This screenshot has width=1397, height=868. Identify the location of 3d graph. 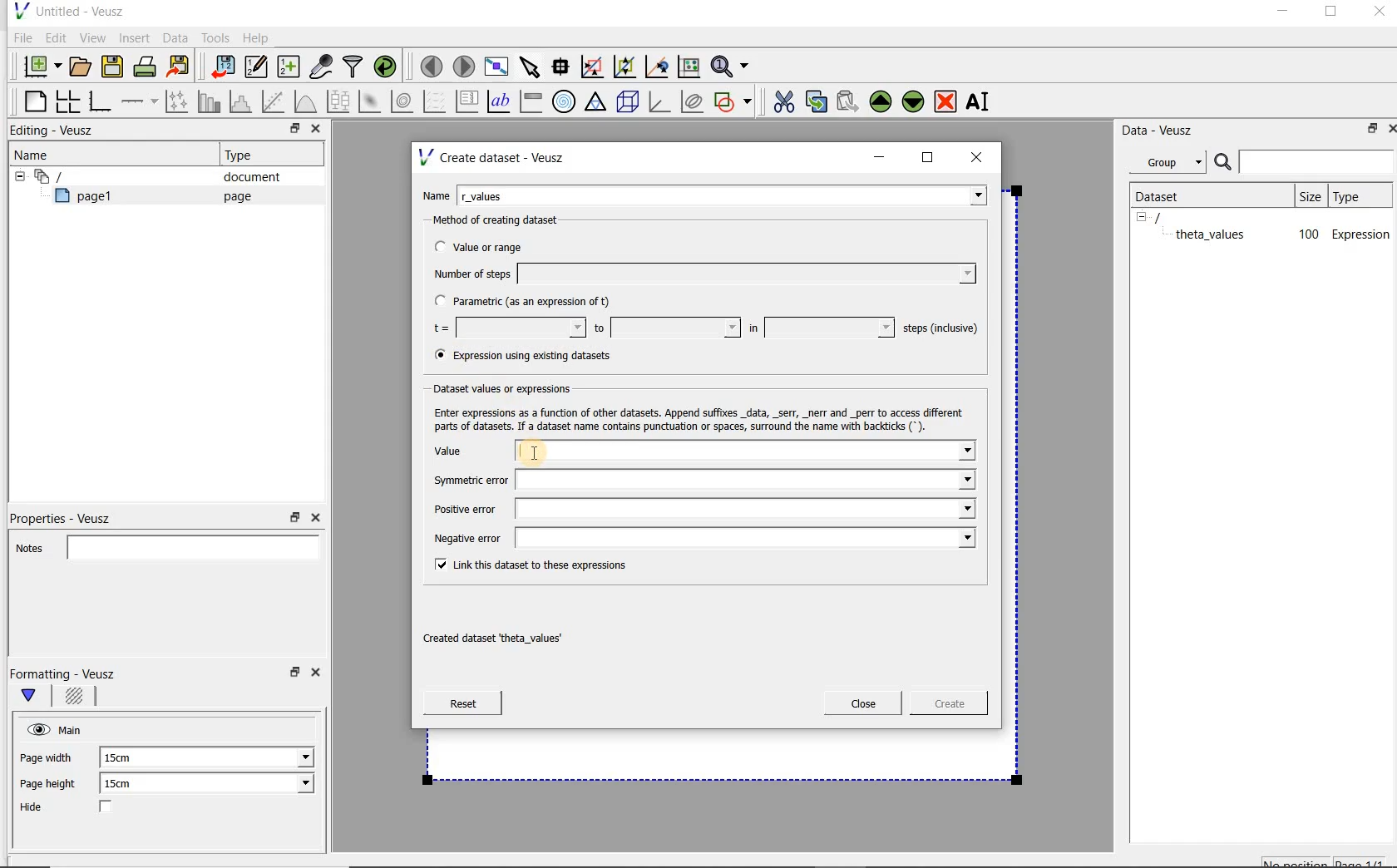
(660, 103).